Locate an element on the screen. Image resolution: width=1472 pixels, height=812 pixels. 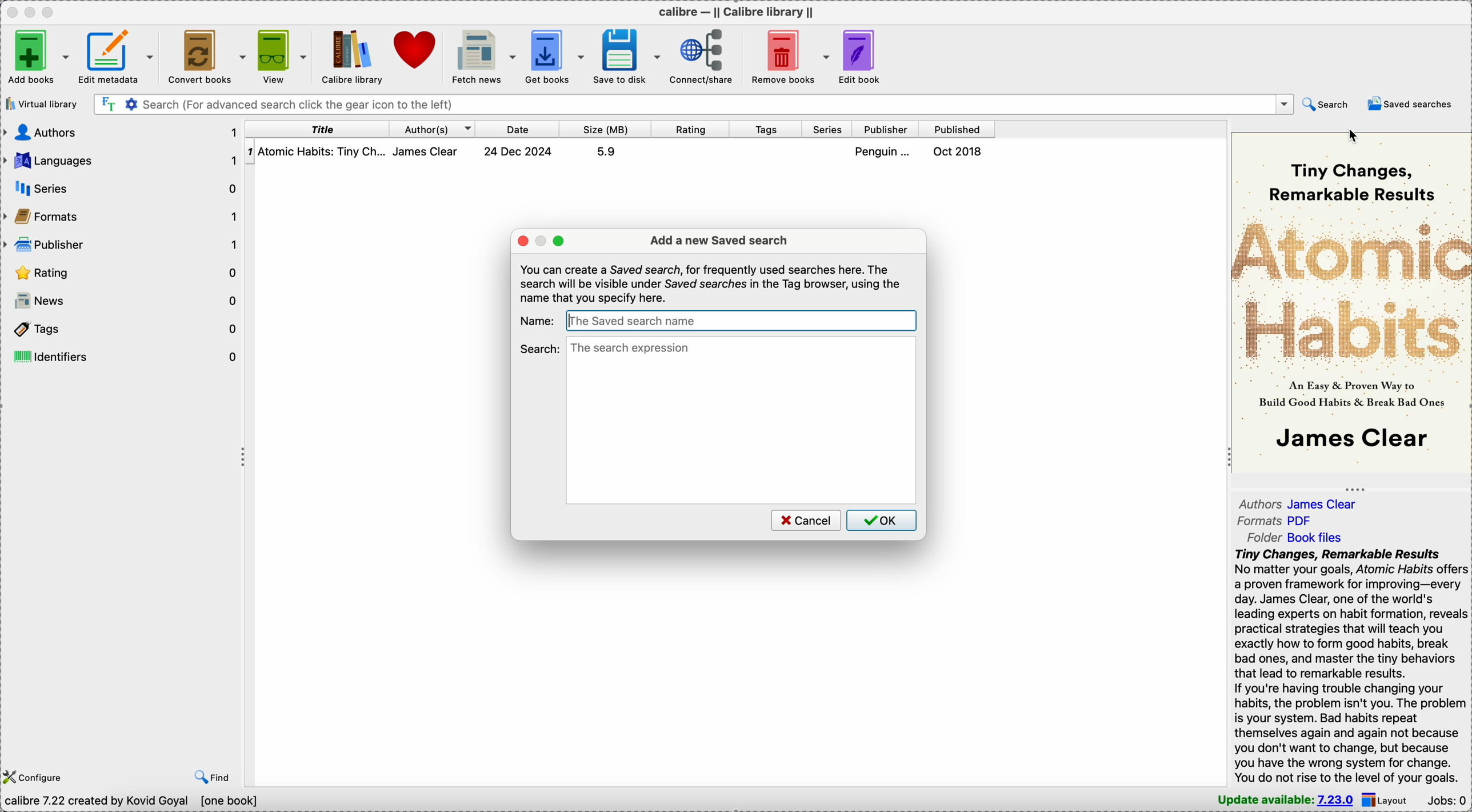
maximize is located at coordinates (559, 241).